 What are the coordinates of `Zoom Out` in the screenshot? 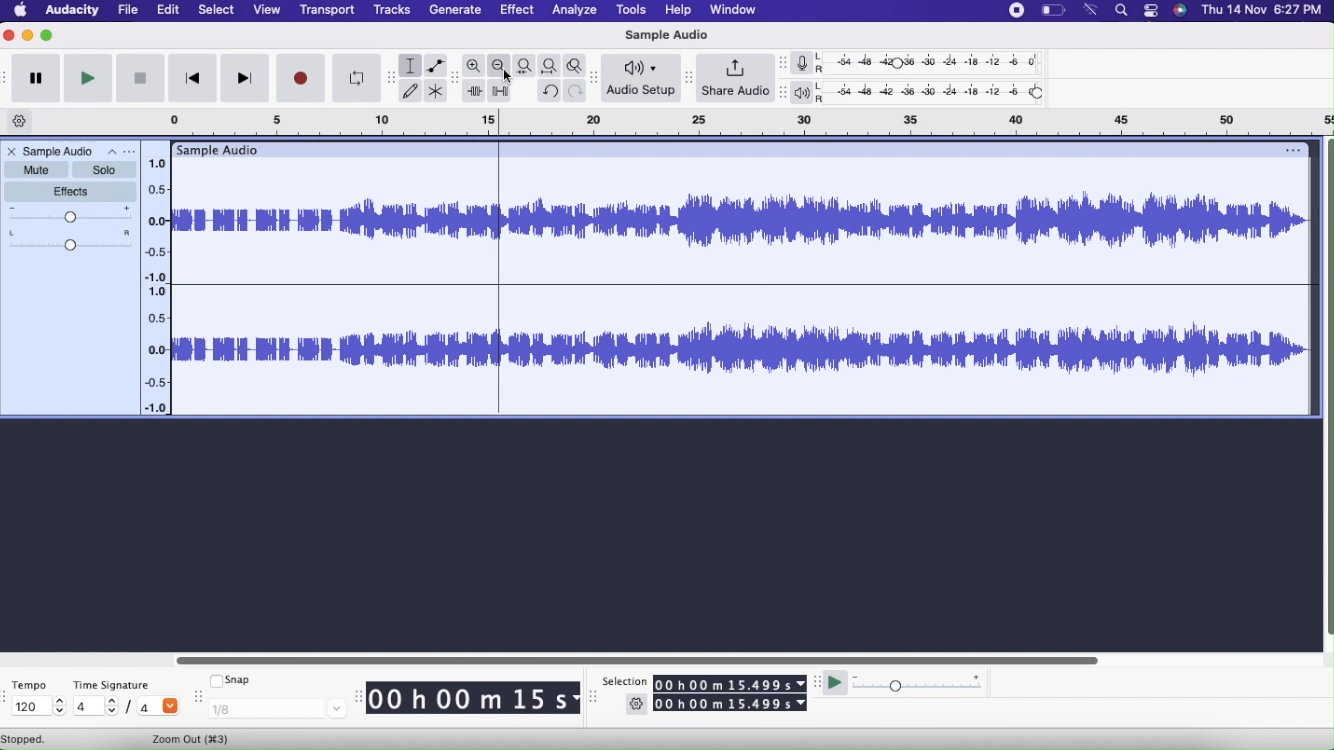 It's located at (205, 738).